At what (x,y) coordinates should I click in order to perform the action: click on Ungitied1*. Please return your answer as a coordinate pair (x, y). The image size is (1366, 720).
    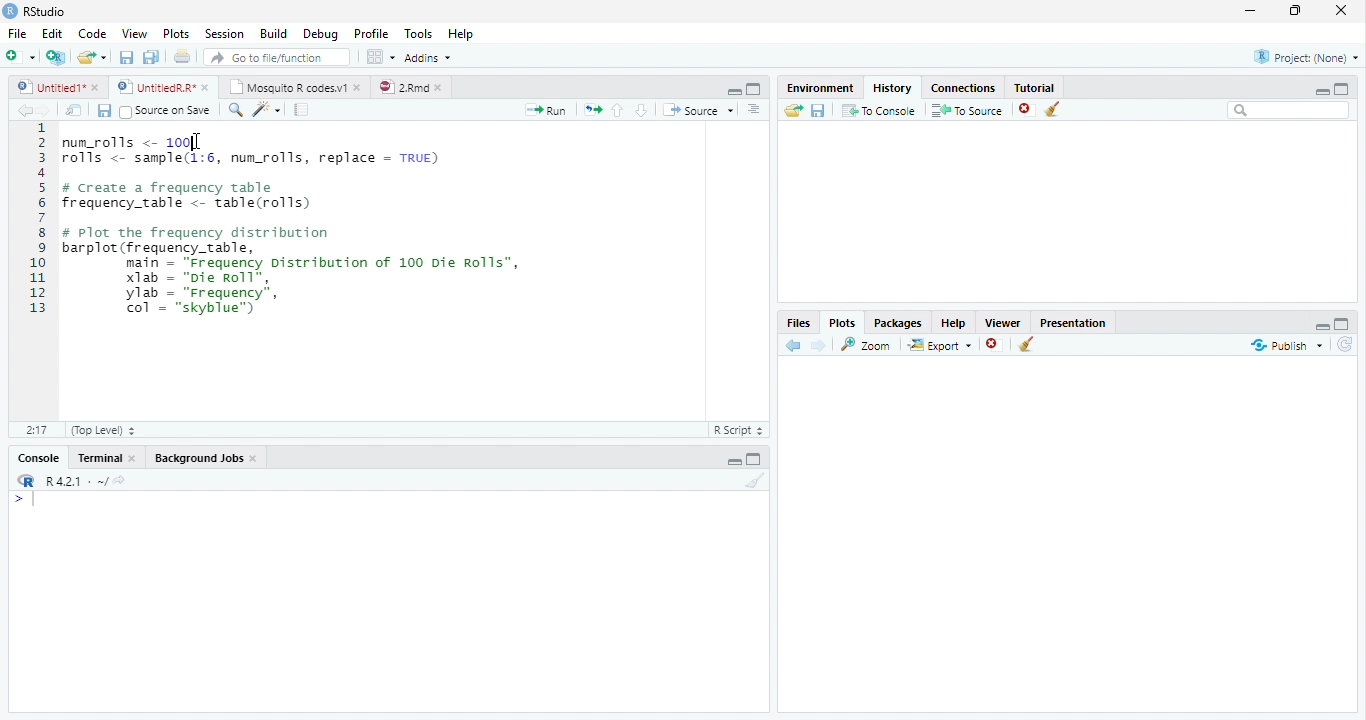
    Looking at the image, I should click on (57, 87).